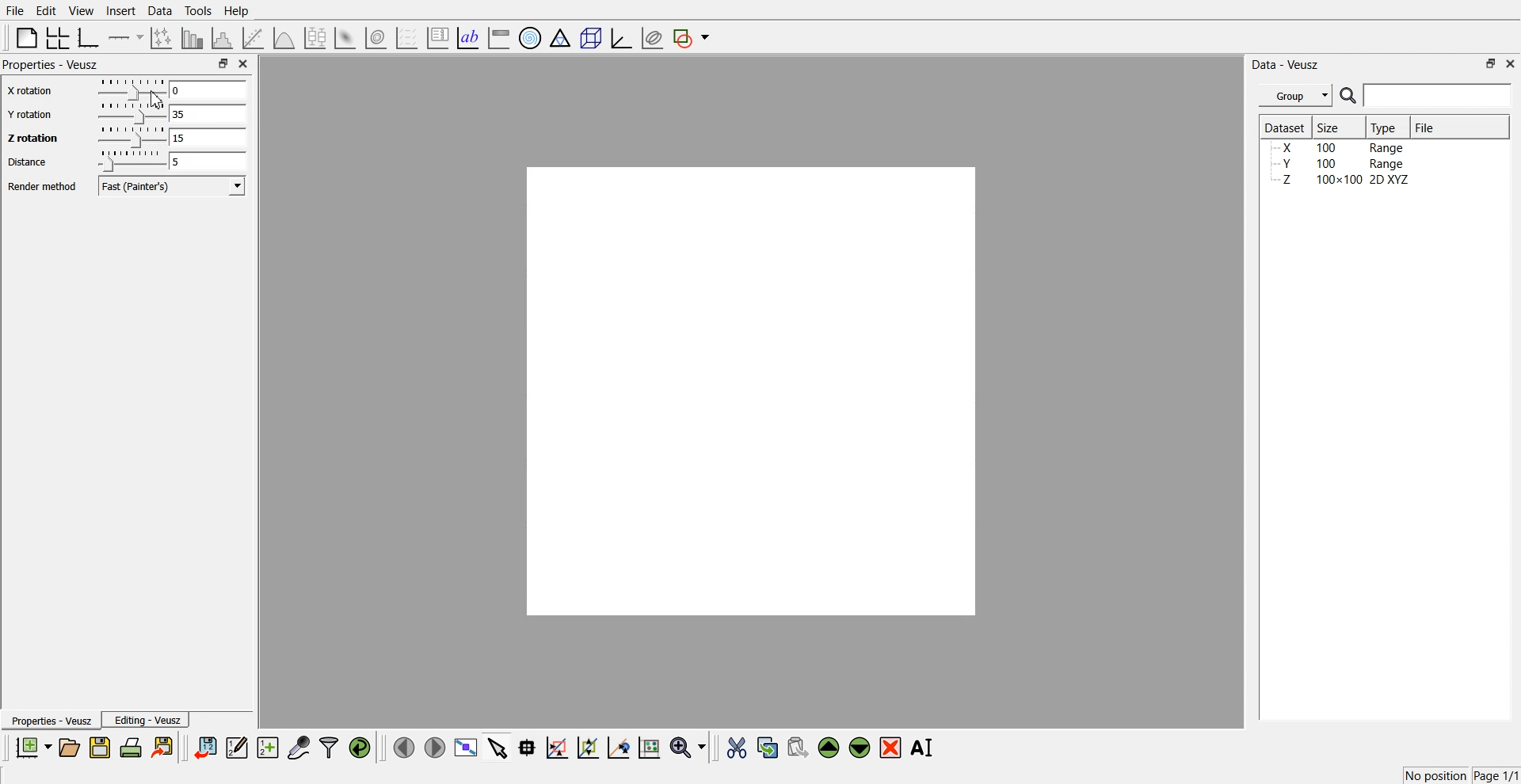  I want to click on Group, so click(1296, 96).